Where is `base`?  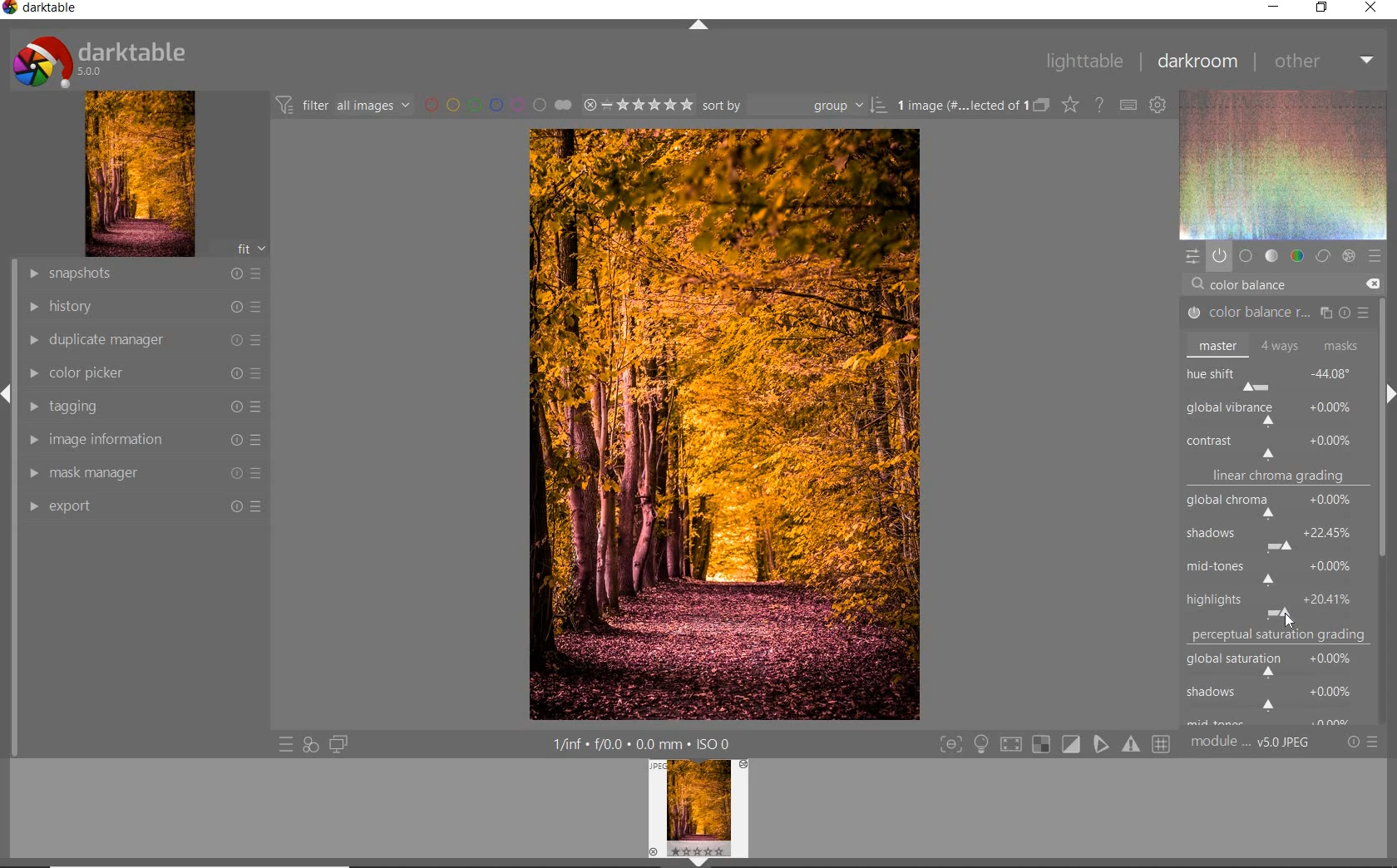
base is located at coordinates (1246, 256).